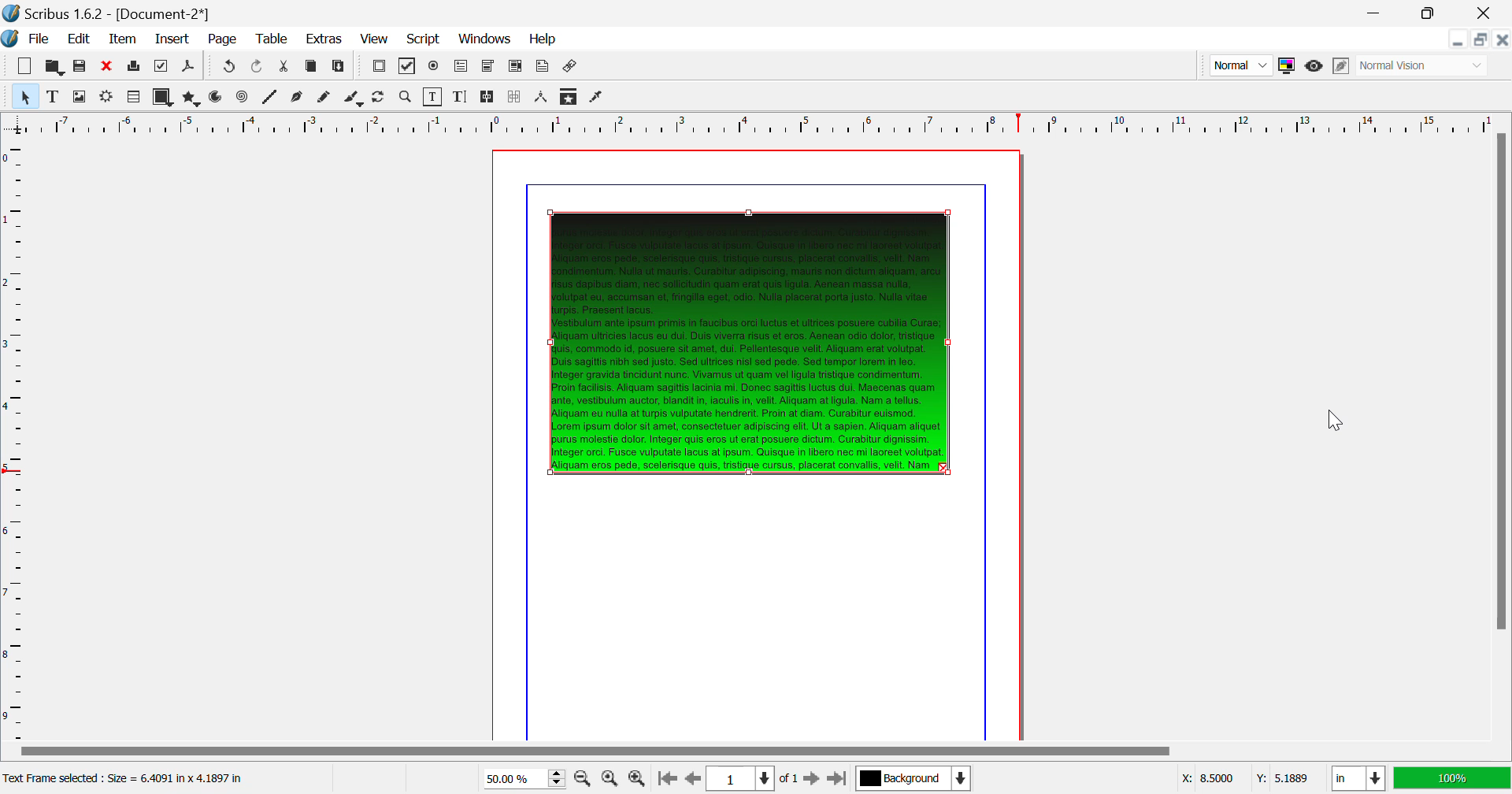  Describe the element at coordinates (1244, 779) in the screenshot. I see `Cursor Coordinates` at that location.